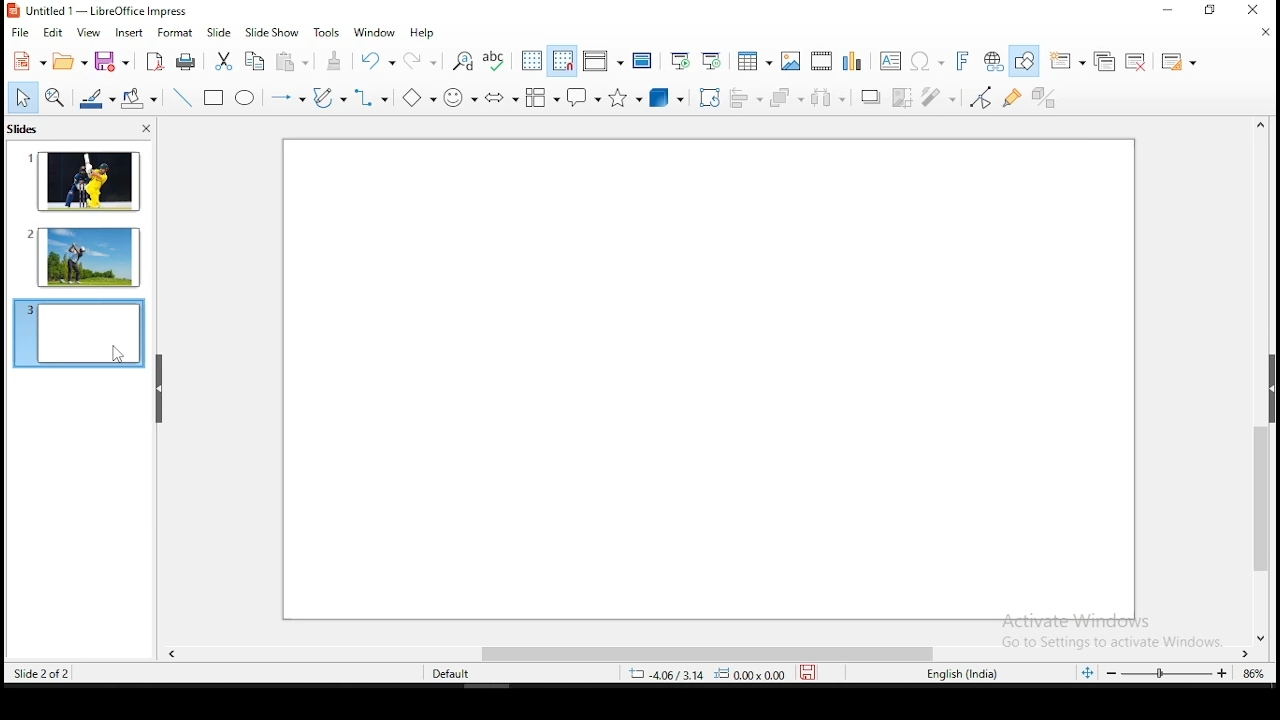 This screenshot has width=1280, height=720. I want to click on edit, so click(52, 33).